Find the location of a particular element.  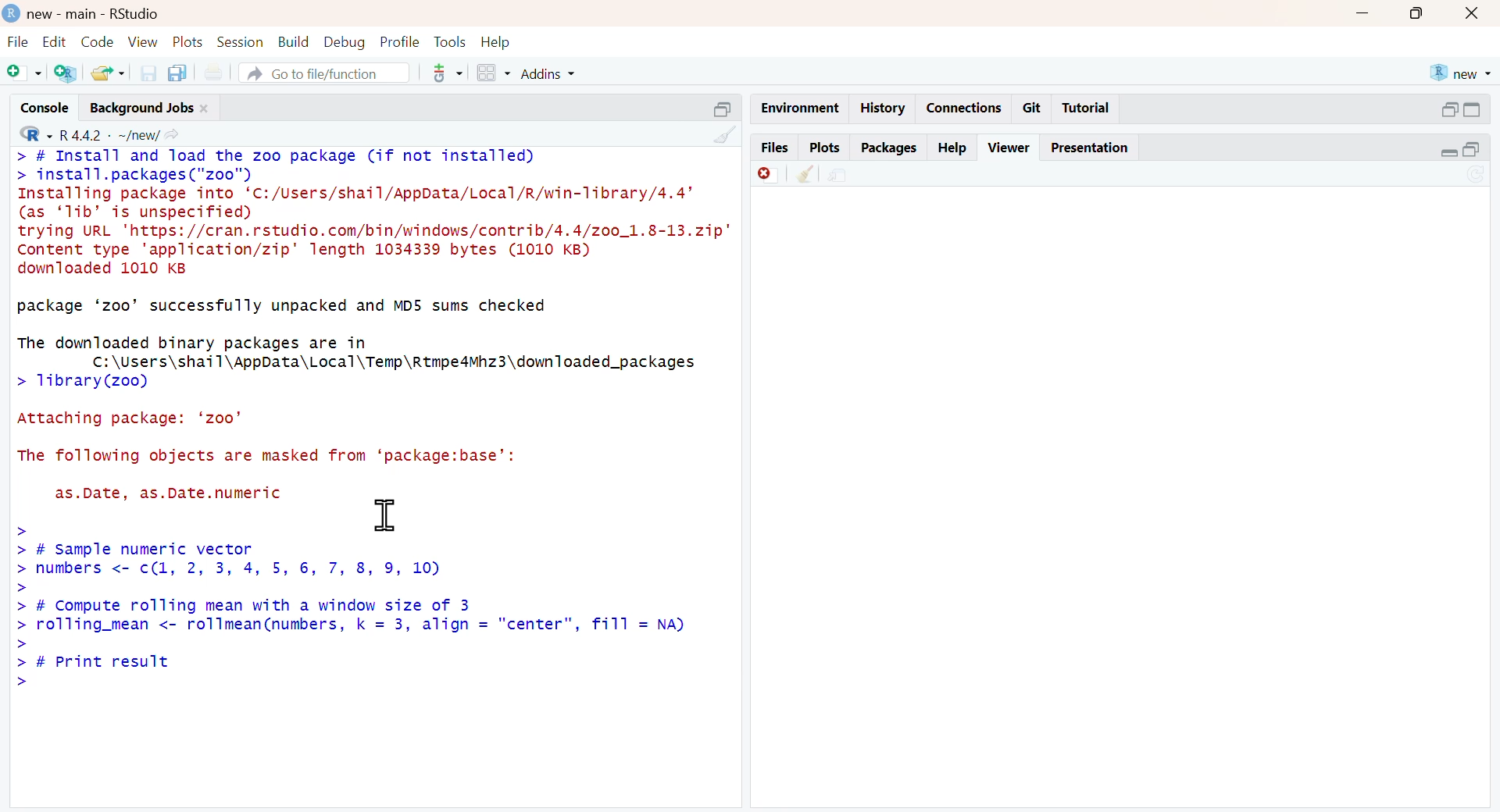

copy is located at coordinates (178, 71).